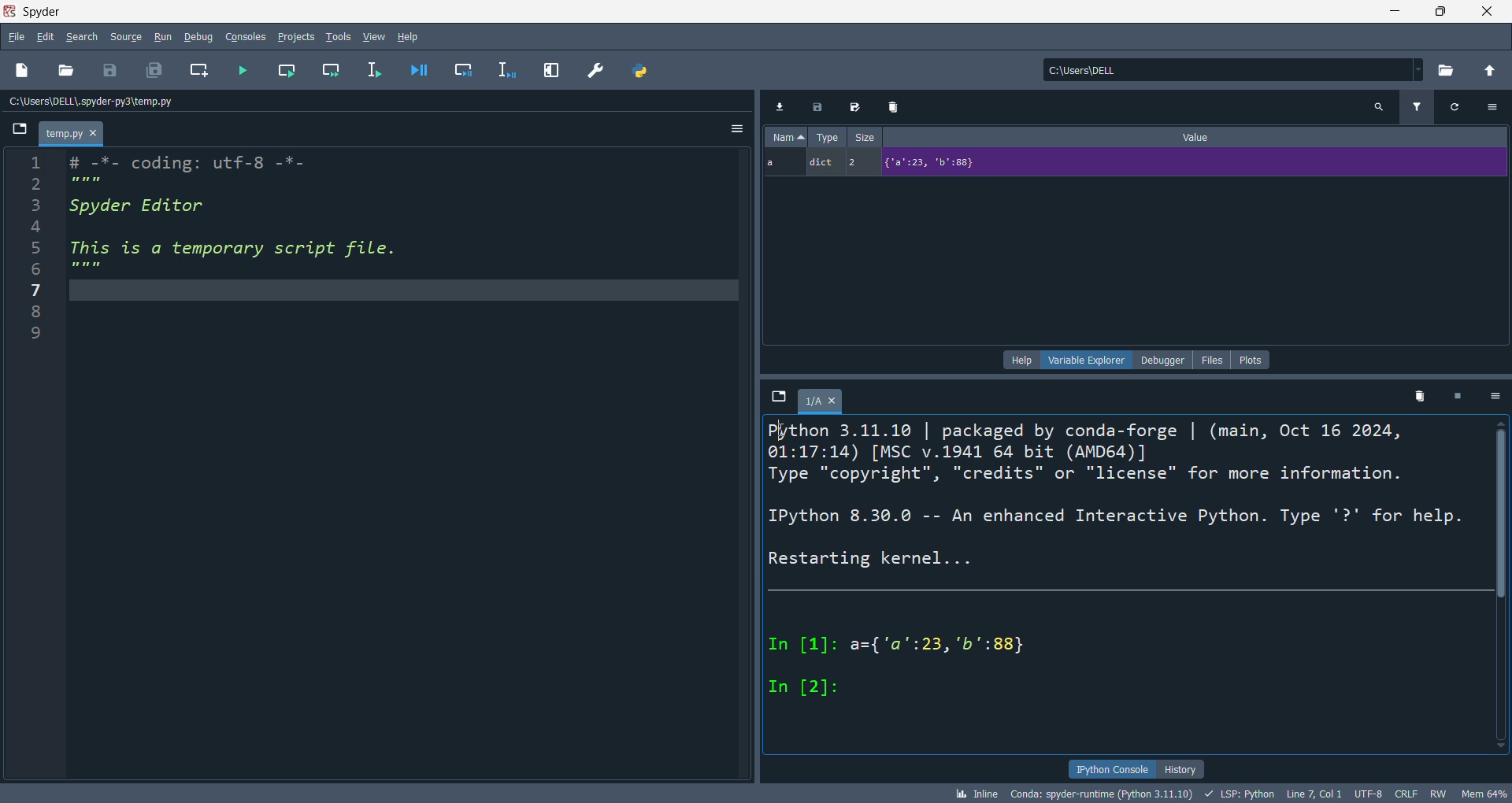 Image resolution: width=1512 pixels, height=803 pixels. What do you see at coordinates (291, 68) in the screenshot?
I see `run cell` at bounding box center [291, 68].